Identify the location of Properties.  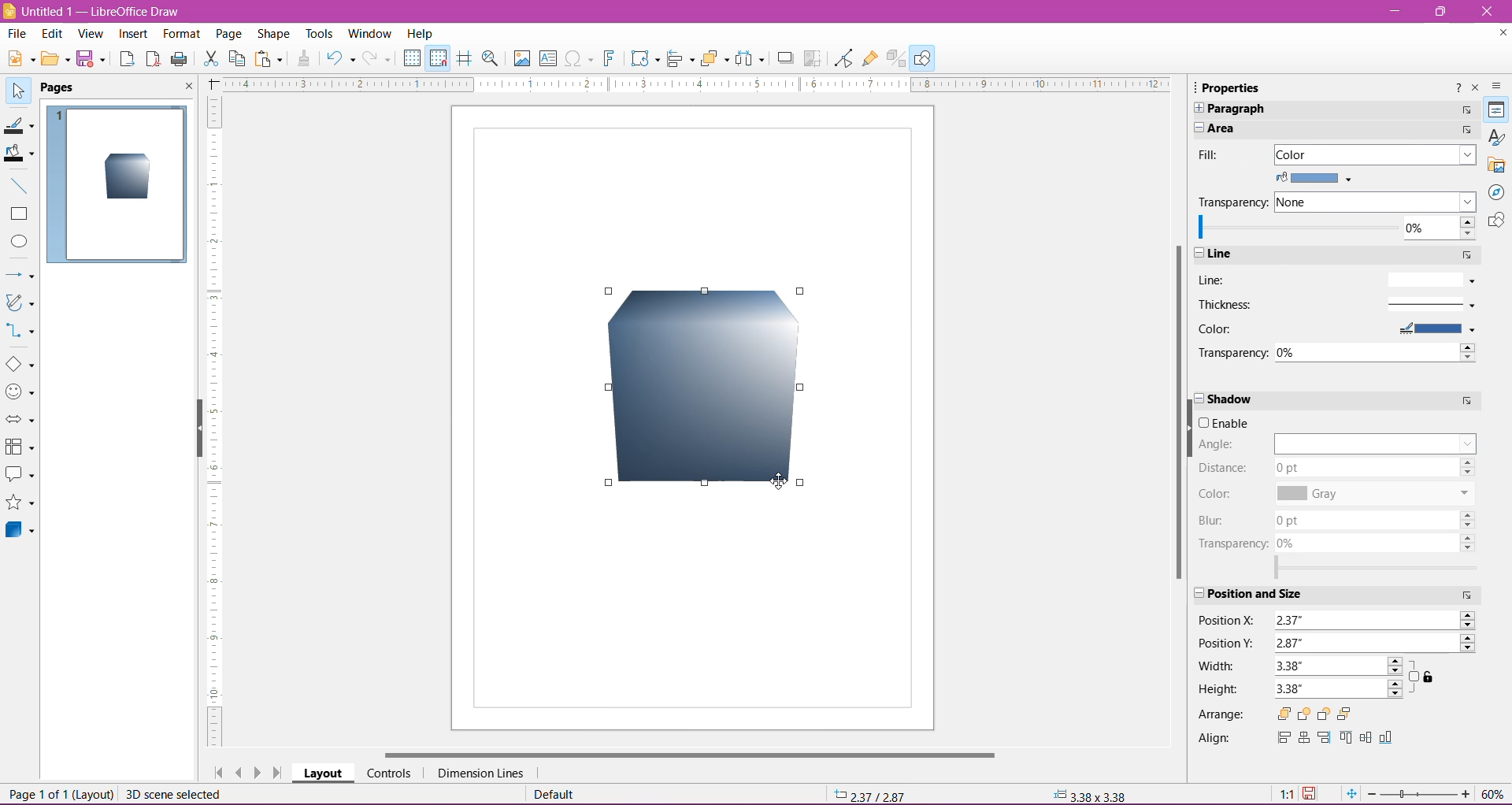
(1228, 87).